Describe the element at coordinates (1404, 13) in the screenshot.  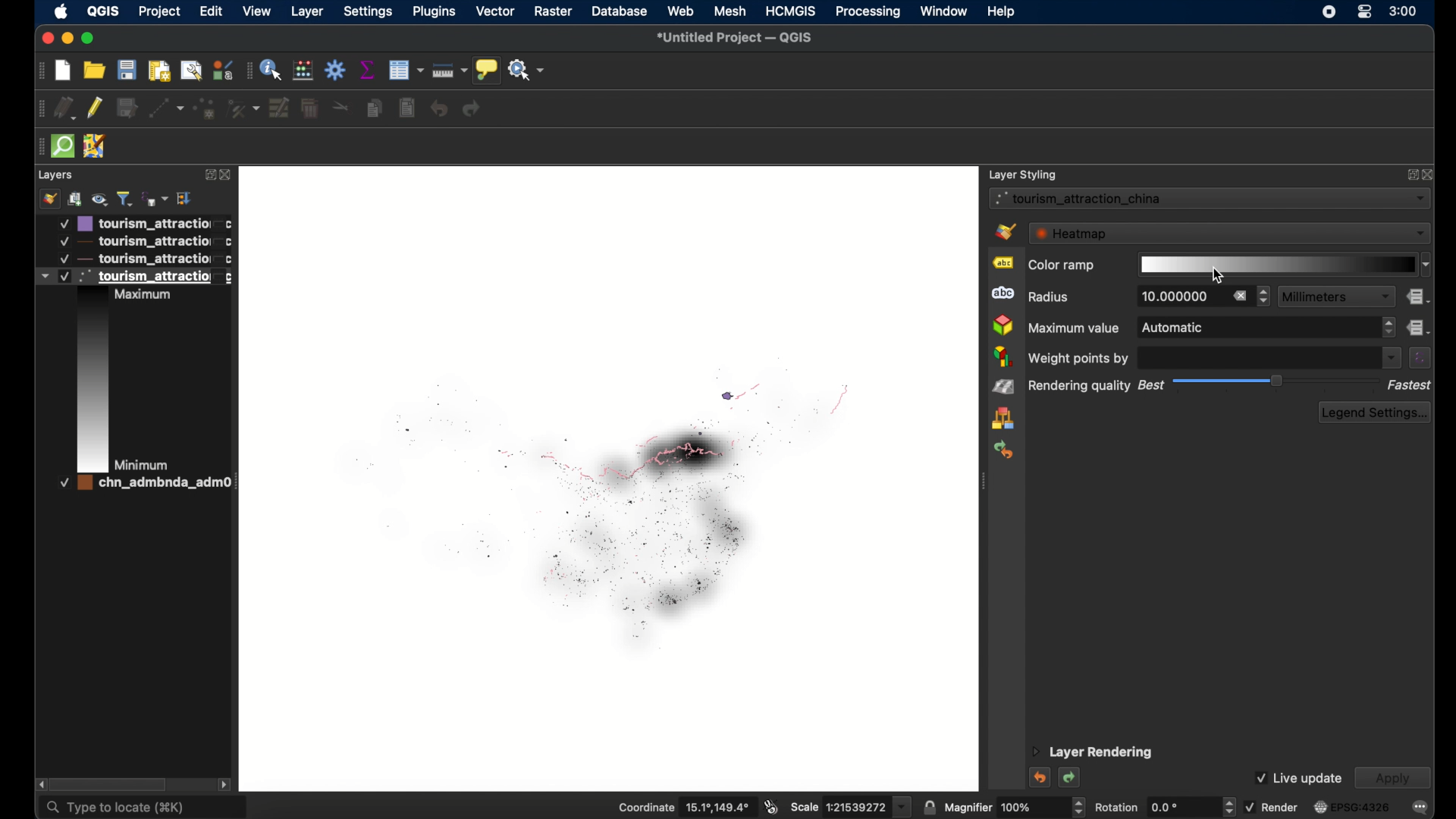
I see `time` at that location.